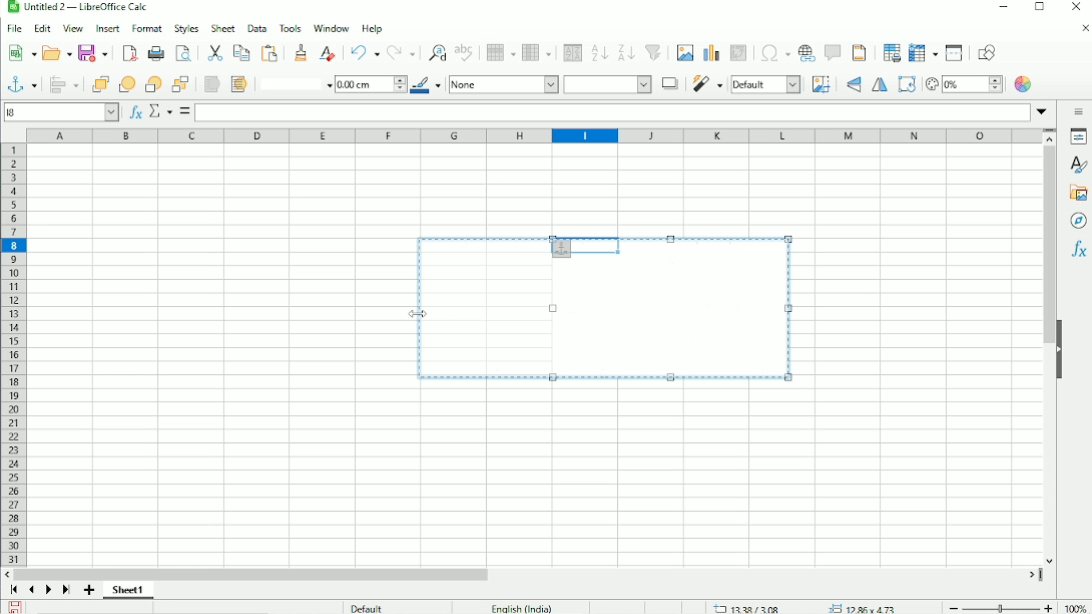  What do you see at coordinates (14, 590) in the screenshot?
I see `Scroll to first sheet` at bounding box center [14, 590].